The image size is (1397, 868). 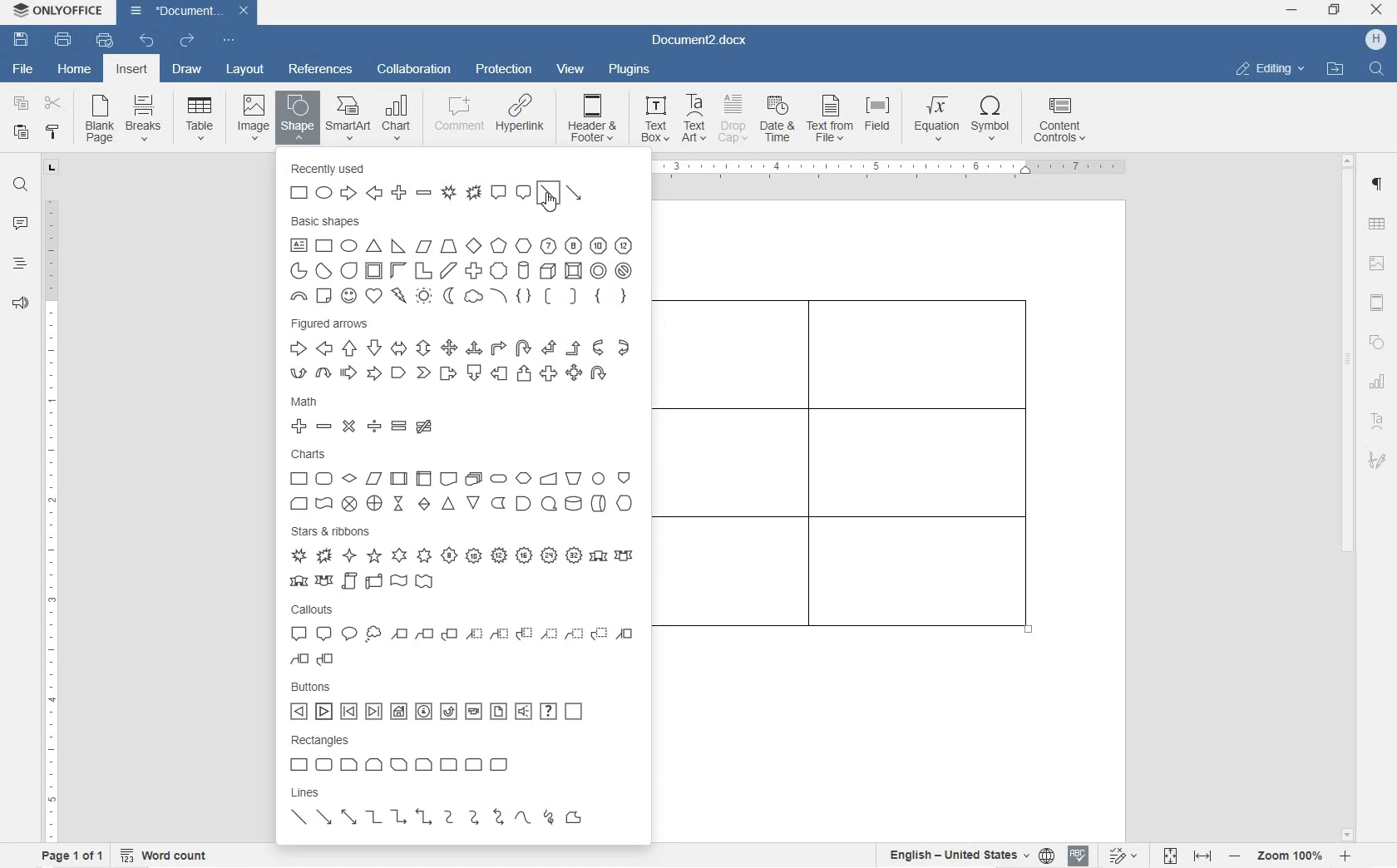 I want to click on copy, so click(x=22, y=106).